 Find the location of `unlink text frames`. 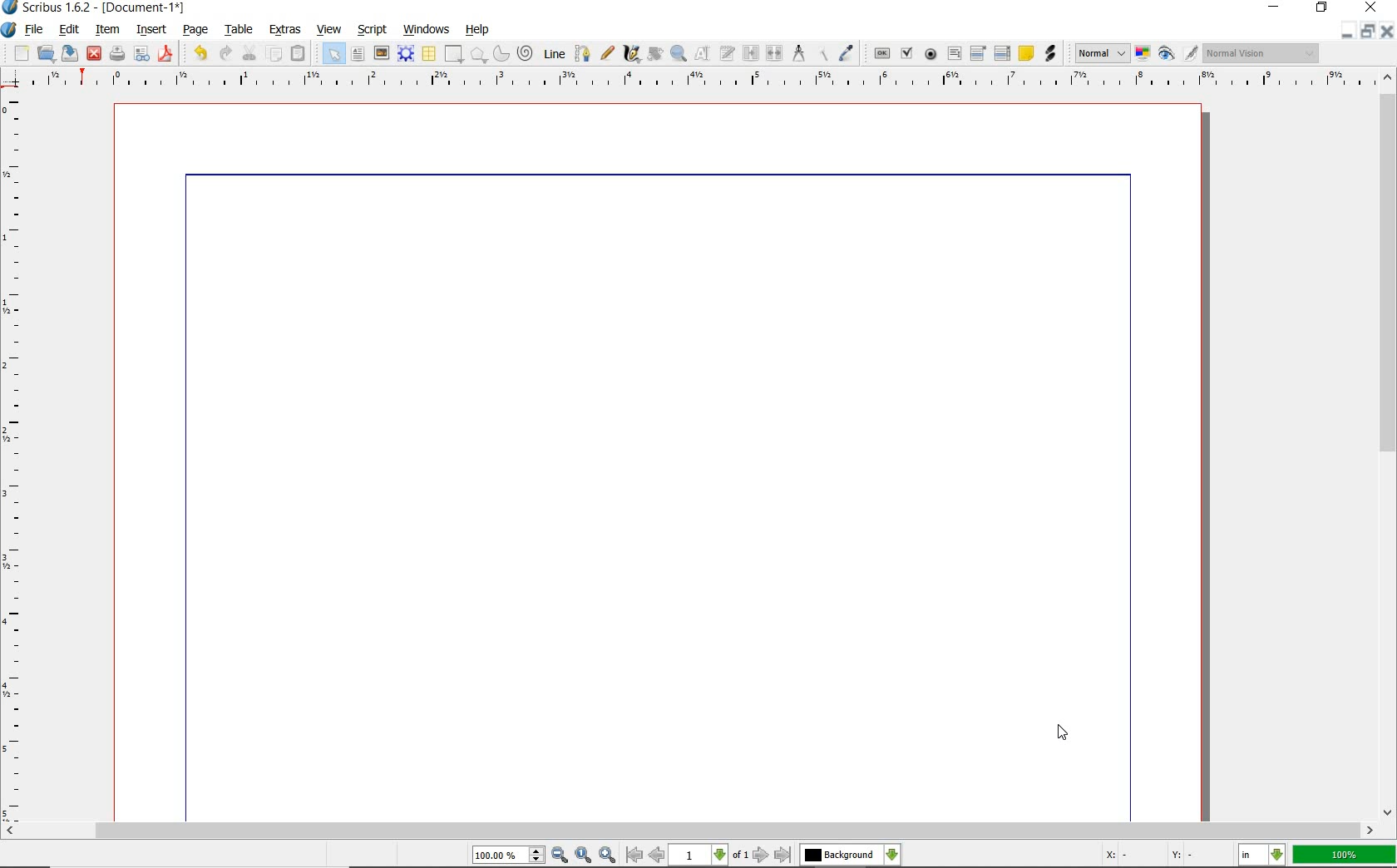

unlink text frames is located at coordinates (775, 52).